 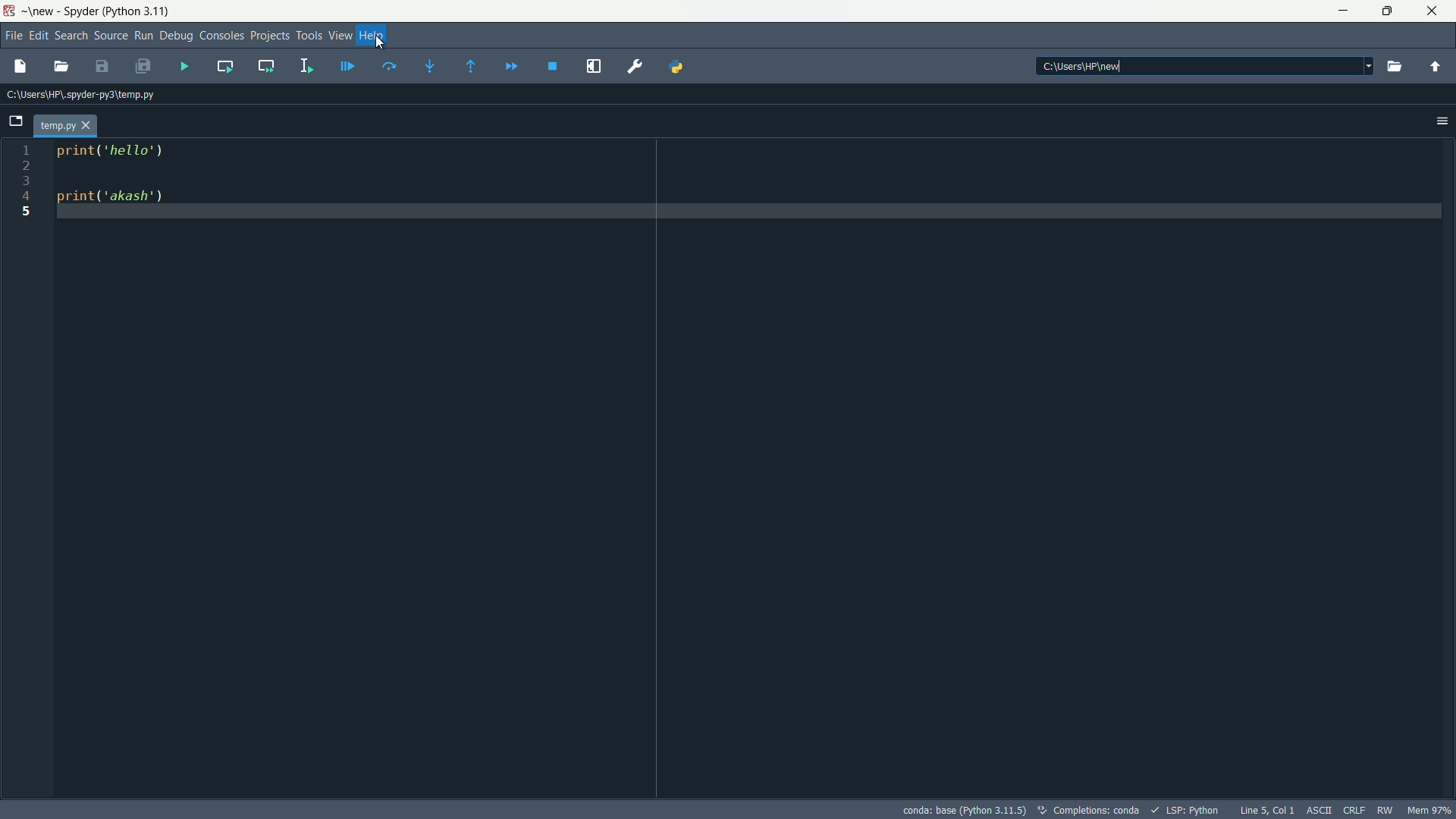 I want to click on mem 97%, so click(x=1429, y=809).